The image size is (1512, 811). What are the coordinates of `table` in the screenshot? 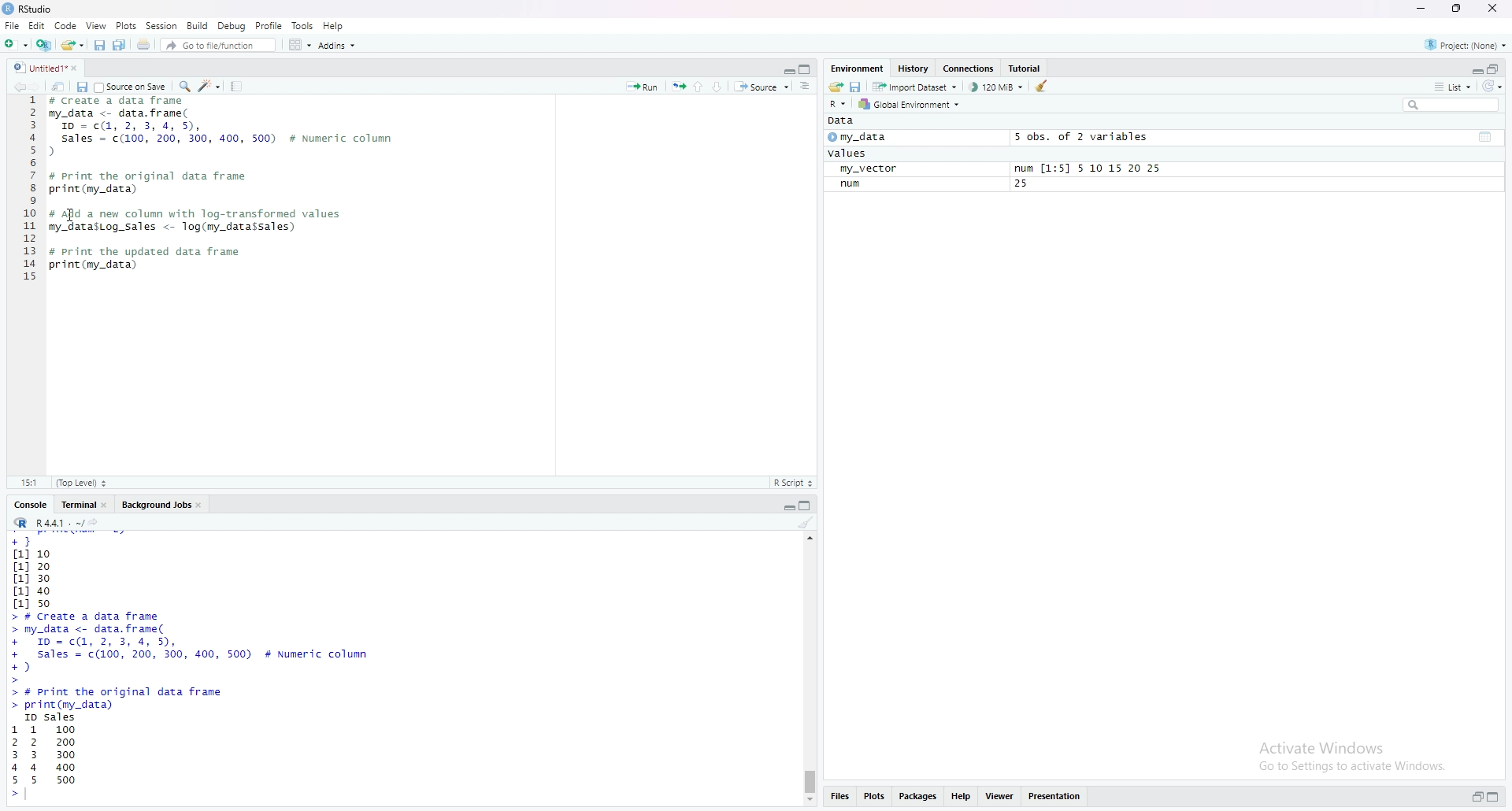 It's located at (1486, 136).